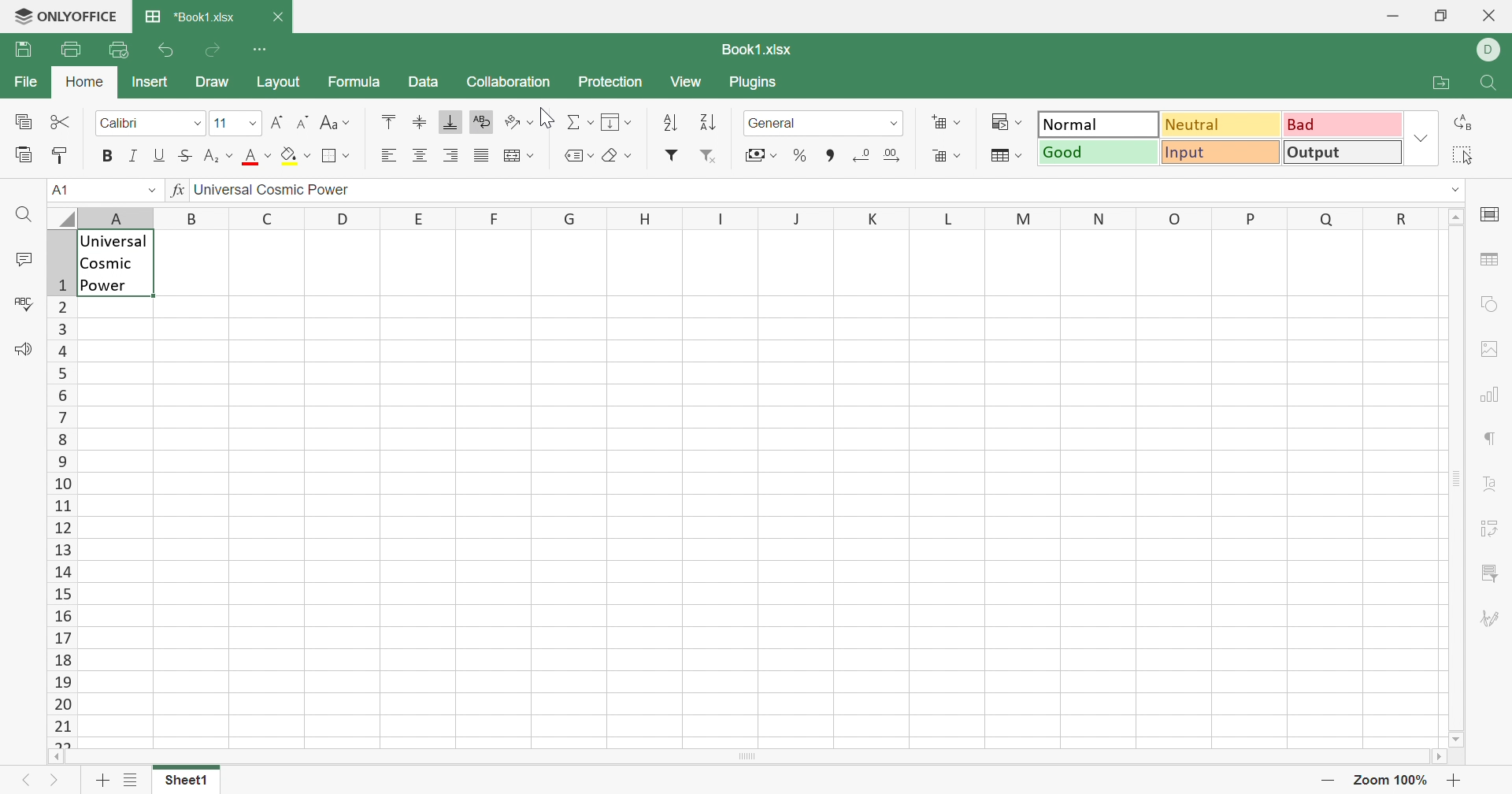  Describe the element at coordinates (1099, 152) in the screenshot. I see `Good` at that location.